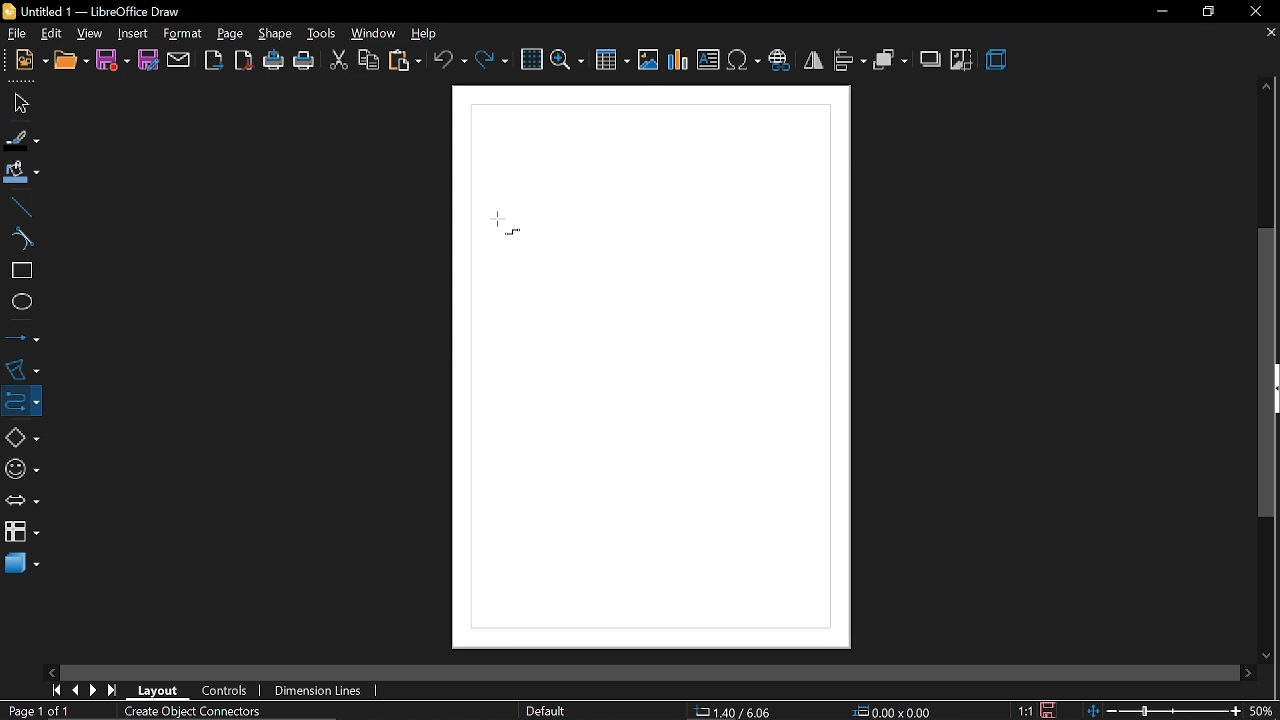 The height and width of the screenshot is (720, 1280). What do you see at coordinates (51, 671) in the screenshot?
I see `move left` at bounding box center [51, 671].